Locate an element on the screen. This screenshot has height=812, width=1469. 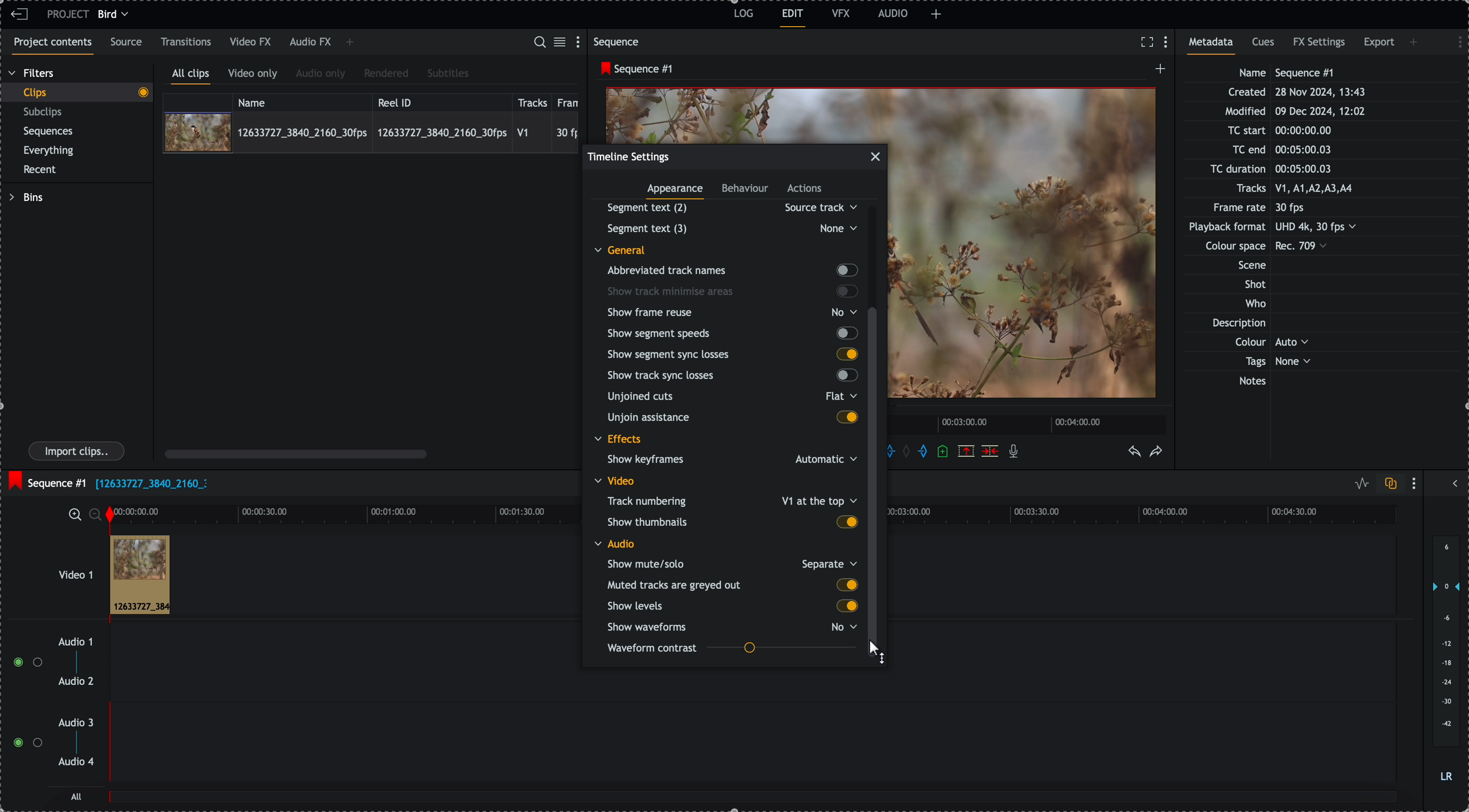
audio output level (d/B) is located at coordinates (1445, 660).